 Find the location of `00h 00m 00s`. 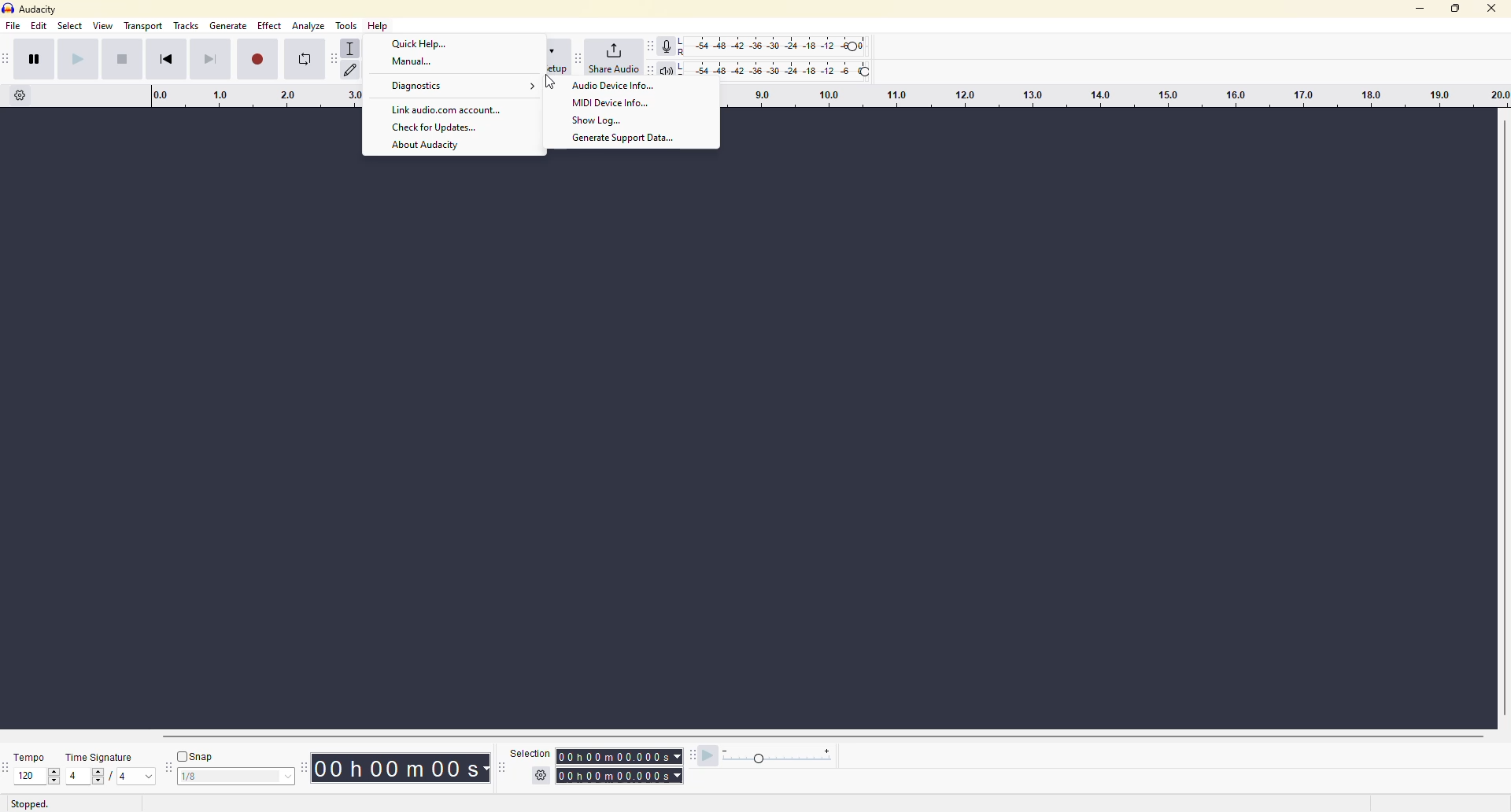

00h 00m 00s is located at coordinates (398, 767).